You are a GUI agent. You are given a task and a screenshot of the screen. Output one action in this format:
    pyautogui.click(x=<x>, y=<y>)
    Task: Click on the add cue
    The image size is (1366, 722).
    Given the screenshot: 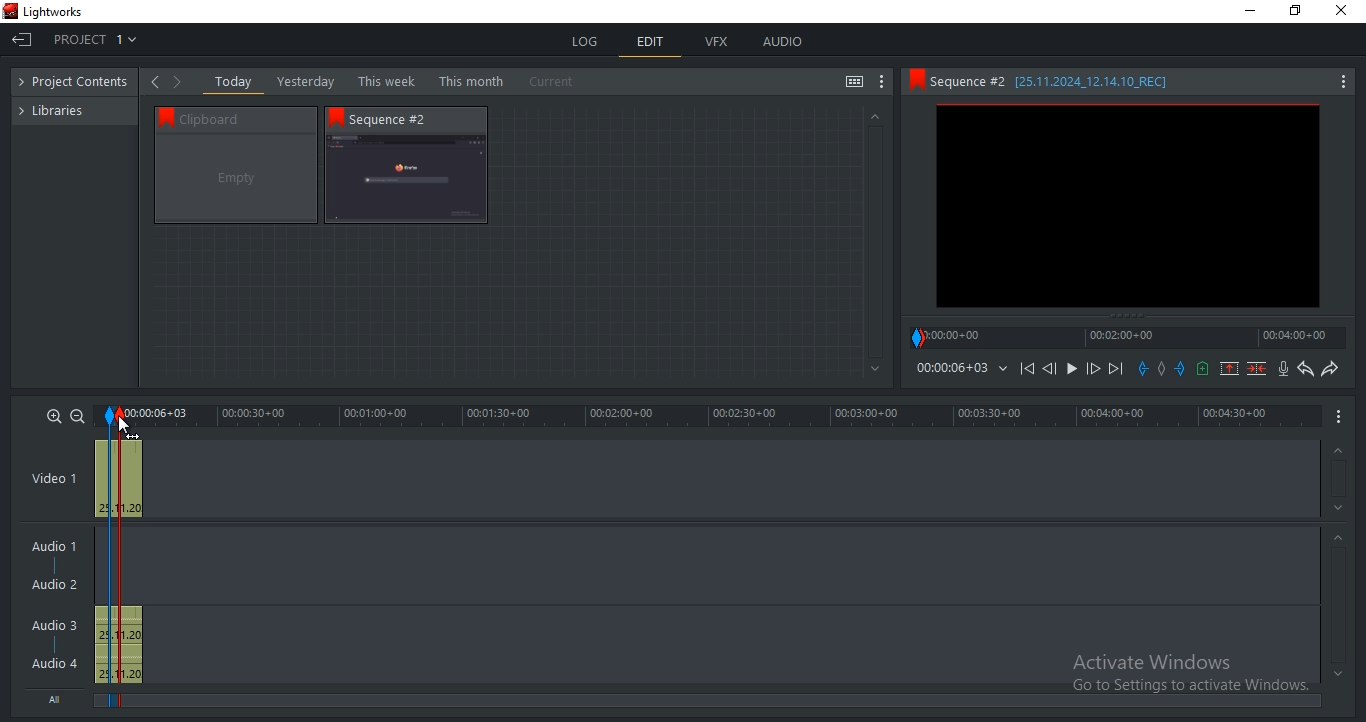 What is the action you would take?
    pyautogui.click(x=1203, y=369)
    